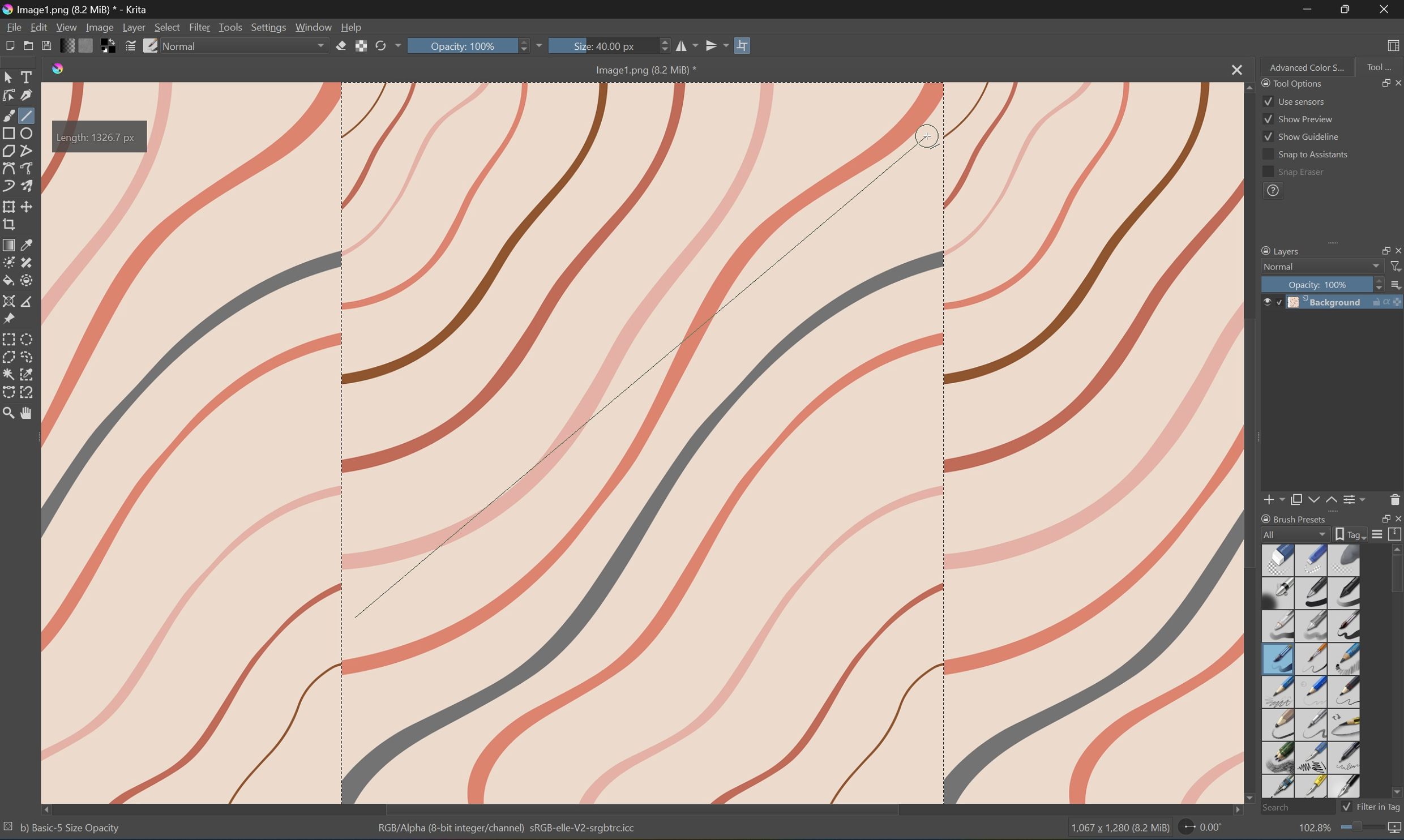 The height and width of the screenshot is (840, 1404). Describe the element at coordinates (686, 46) in the screenshot. I see `Horizontal mirror tool` at that location.